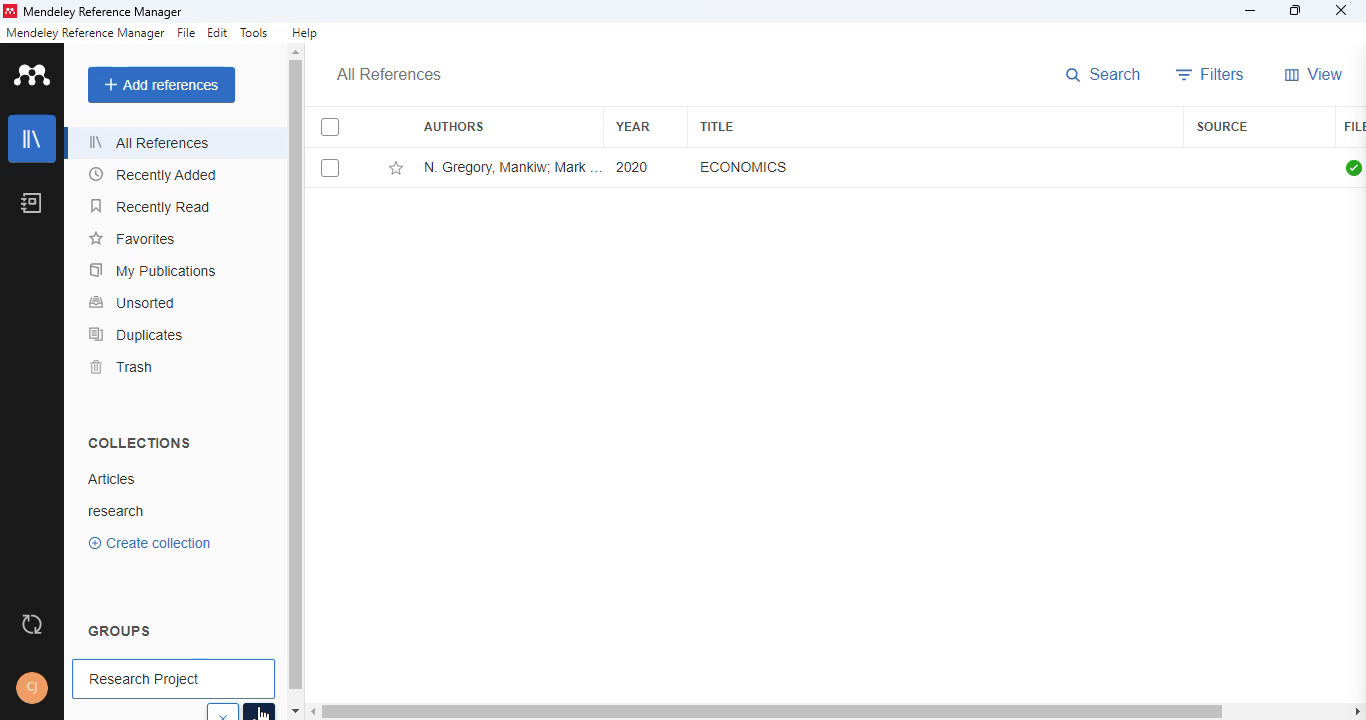 The height and width of the screenshot is (720, 1366). What do you see at coordinates (837, 711) in the screenshot?
I see `horizontal scroll bar` at bounding box center [837, 711].